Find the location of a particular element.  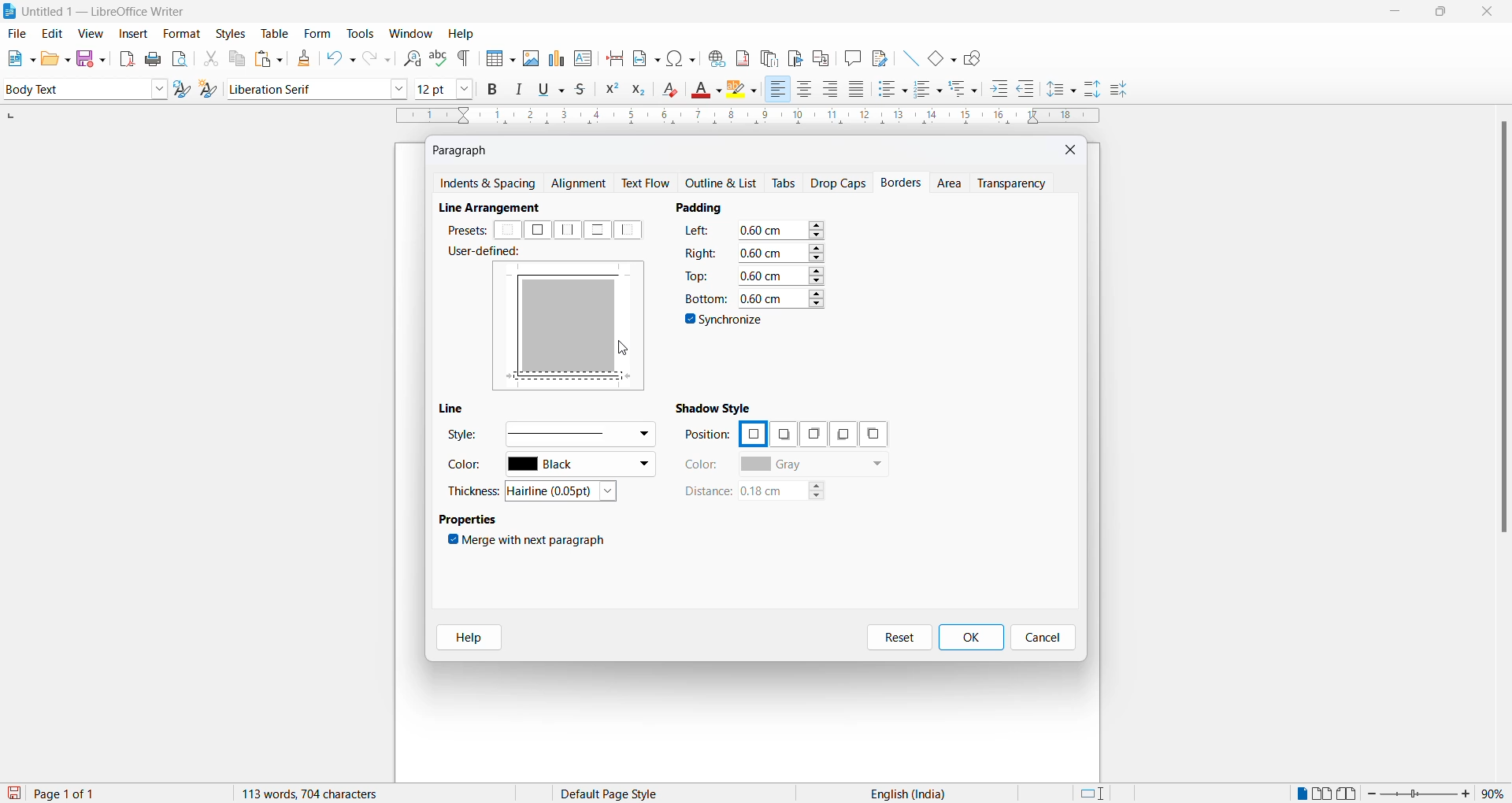

scaling is located at coordinates (746, 117).